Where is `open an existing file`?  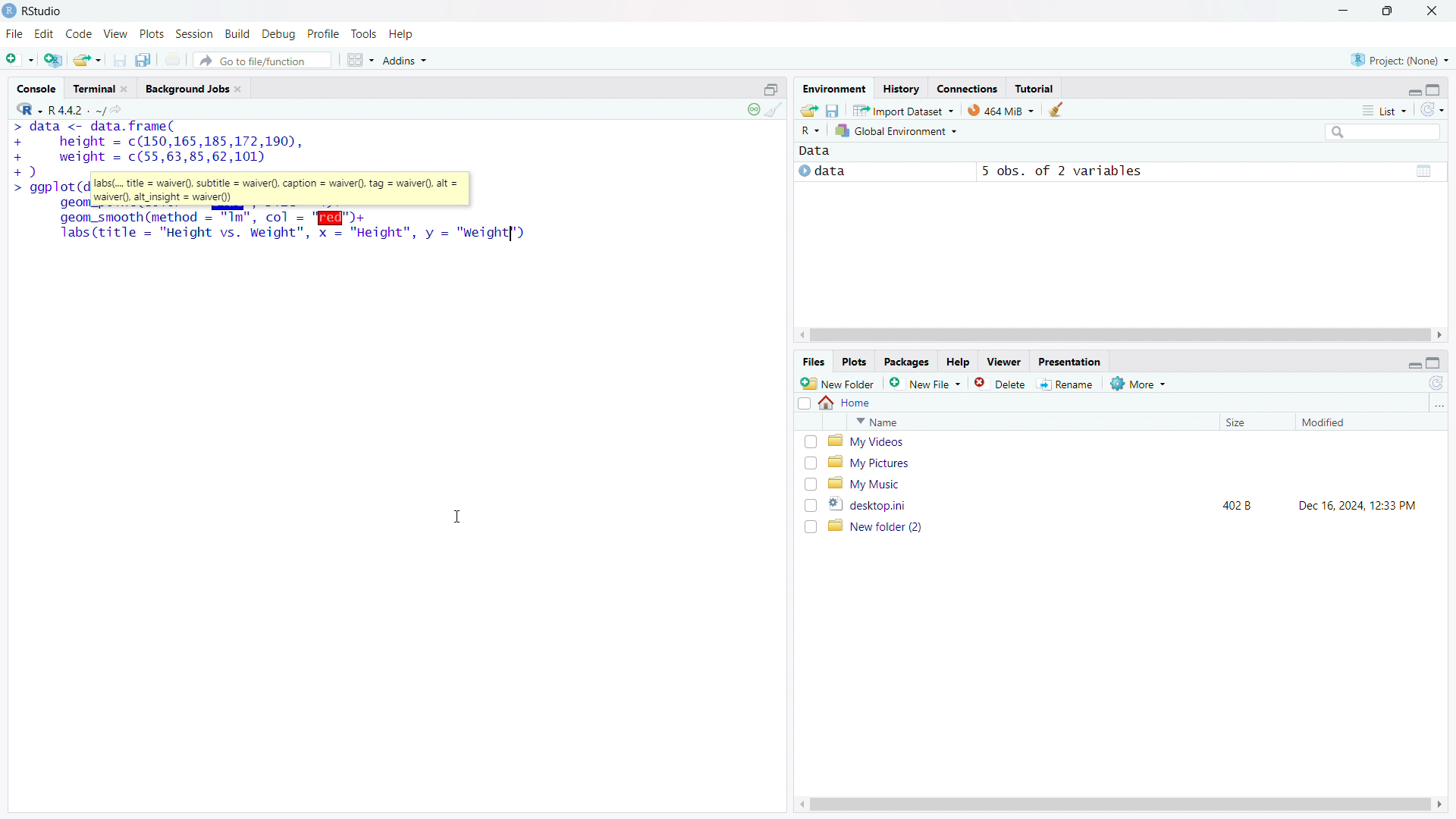
open an existing file is located at coordinates (88, 59).